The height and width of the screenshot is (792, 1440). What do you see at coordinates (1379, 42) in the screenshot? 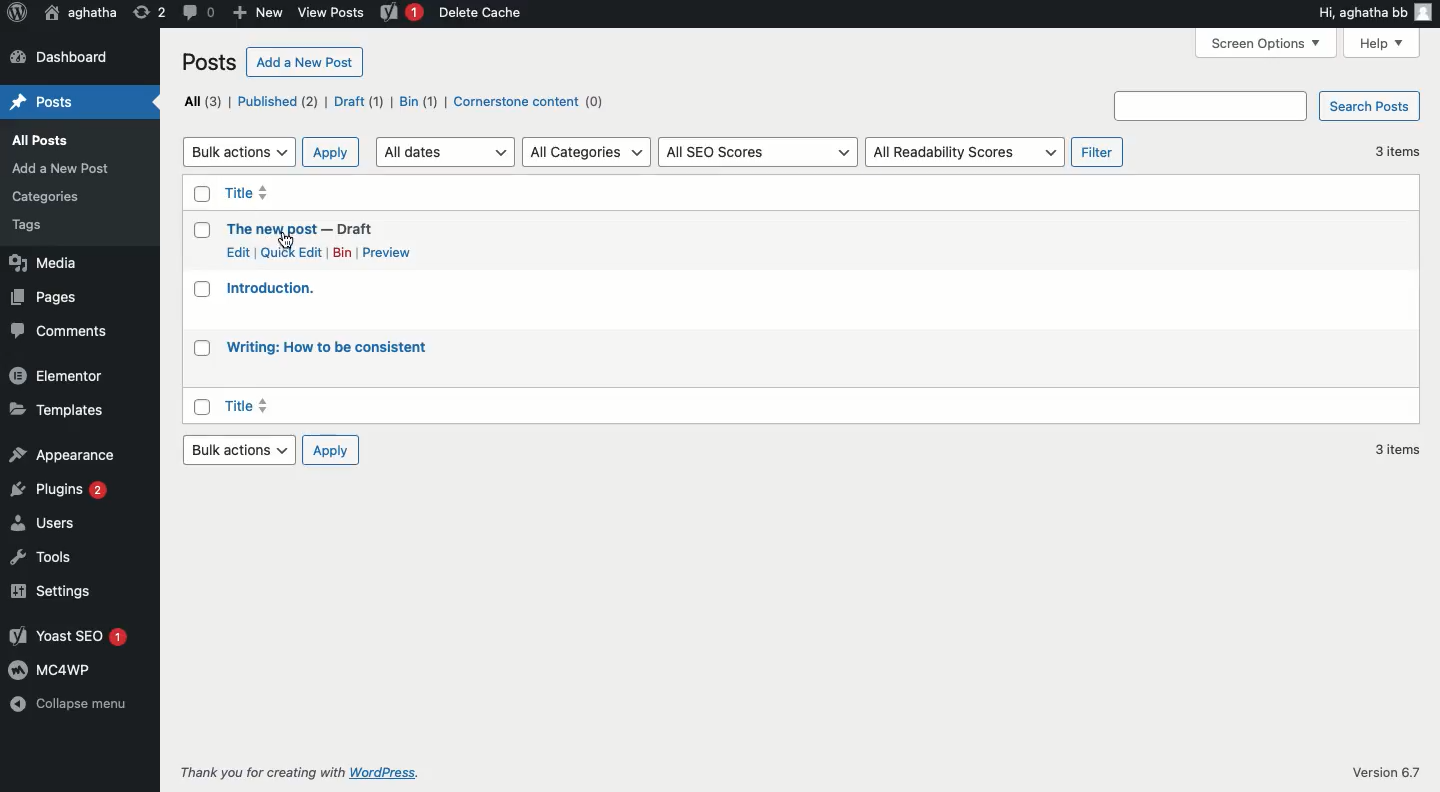
I see `Help` at bounding box center [1379, 42].